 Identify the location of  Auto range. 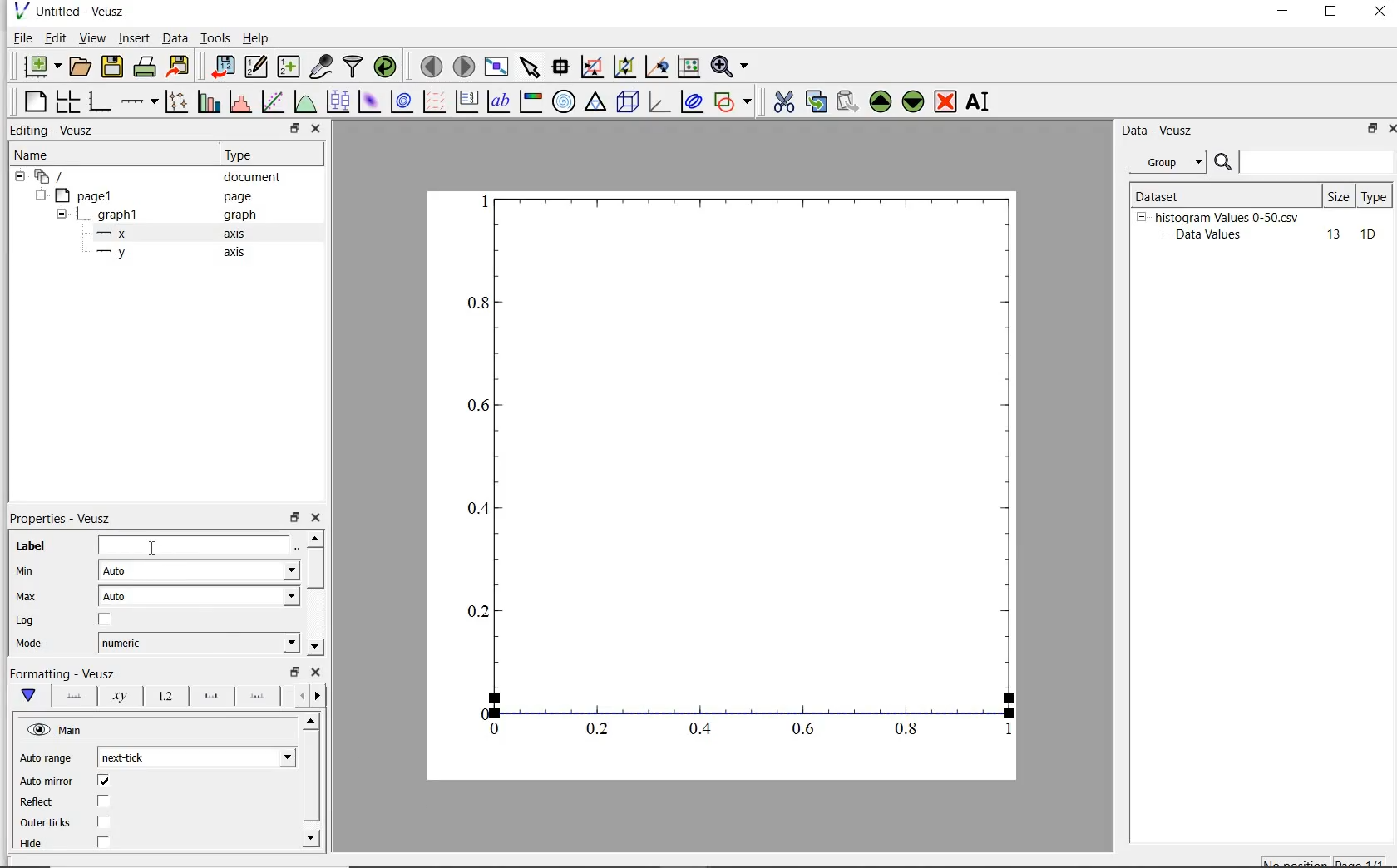
(47, 759).